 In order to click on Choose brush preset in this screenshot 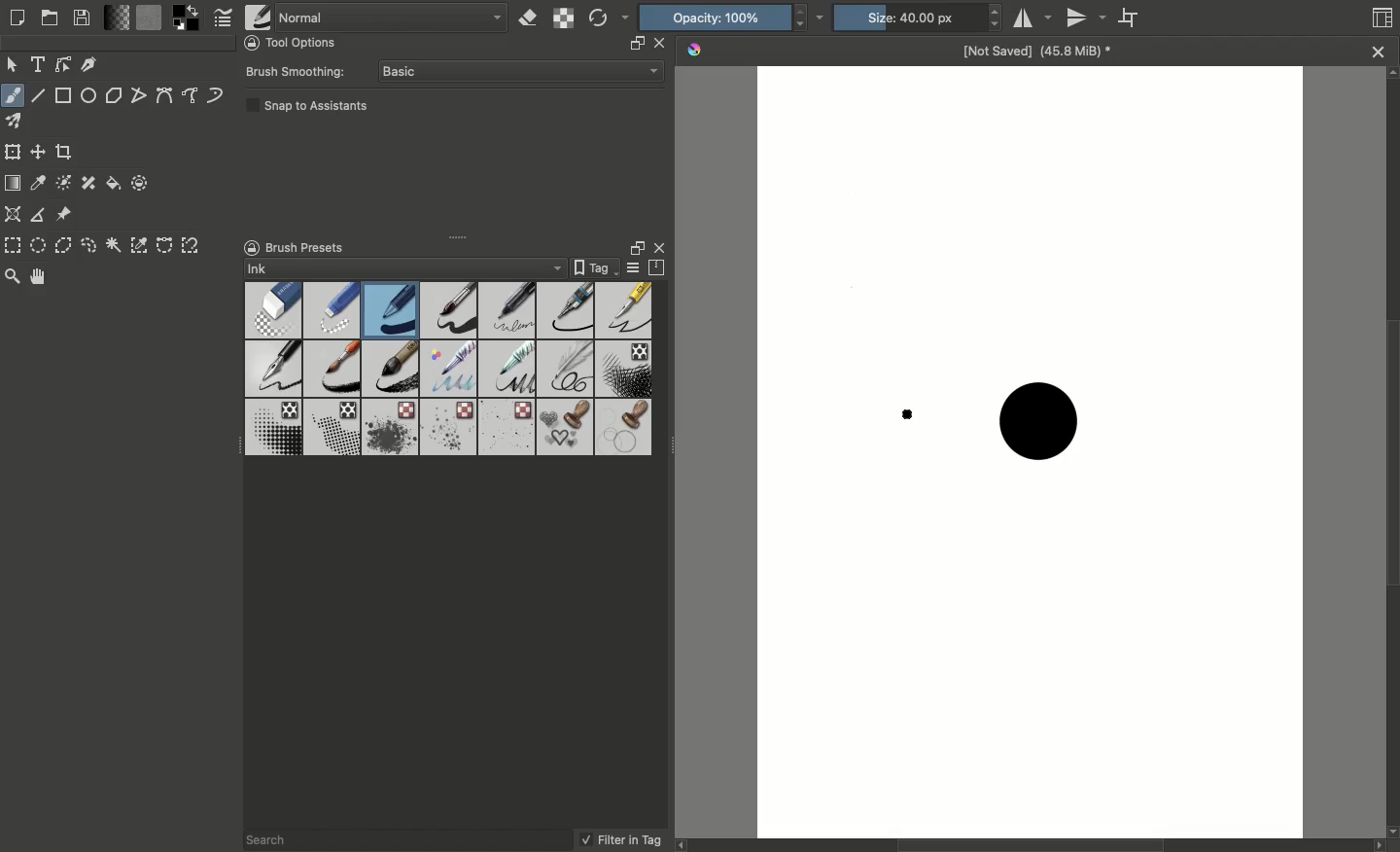, I will do `click(258, 18)`.